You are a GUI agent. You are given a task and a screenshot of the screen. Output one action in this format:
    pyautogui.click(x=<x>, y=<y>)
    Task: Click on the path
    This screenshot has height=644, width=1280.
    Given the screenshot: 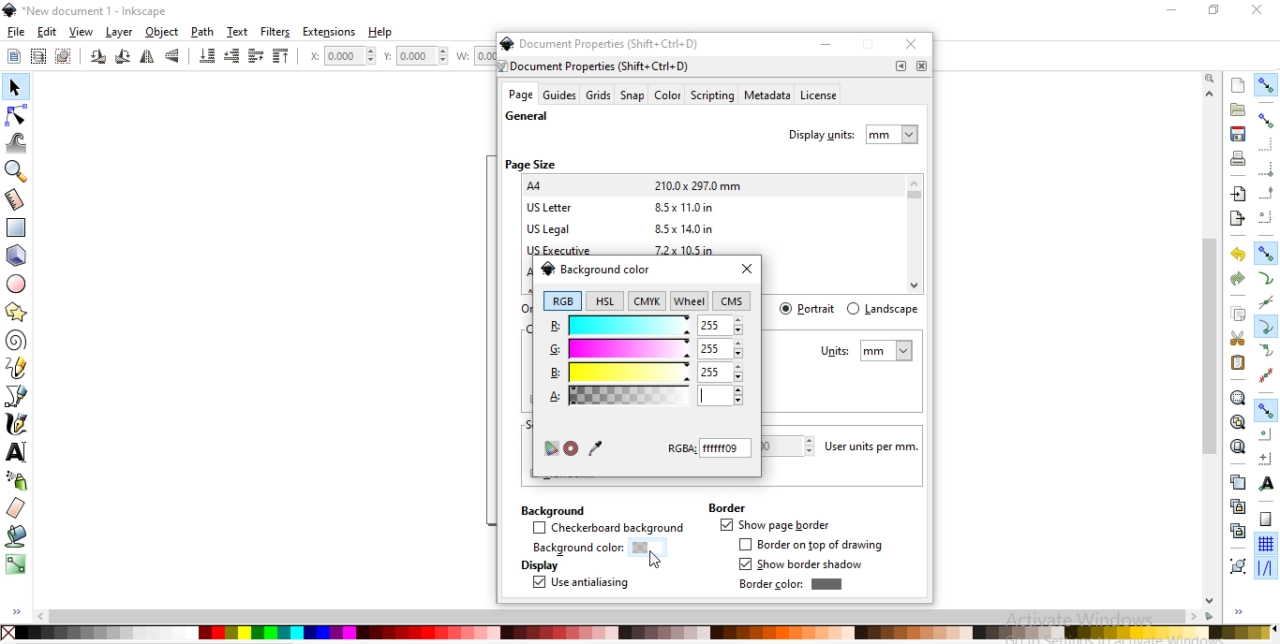 What is the action you would take?
    pyautogui.click(x=204, y=32)
    